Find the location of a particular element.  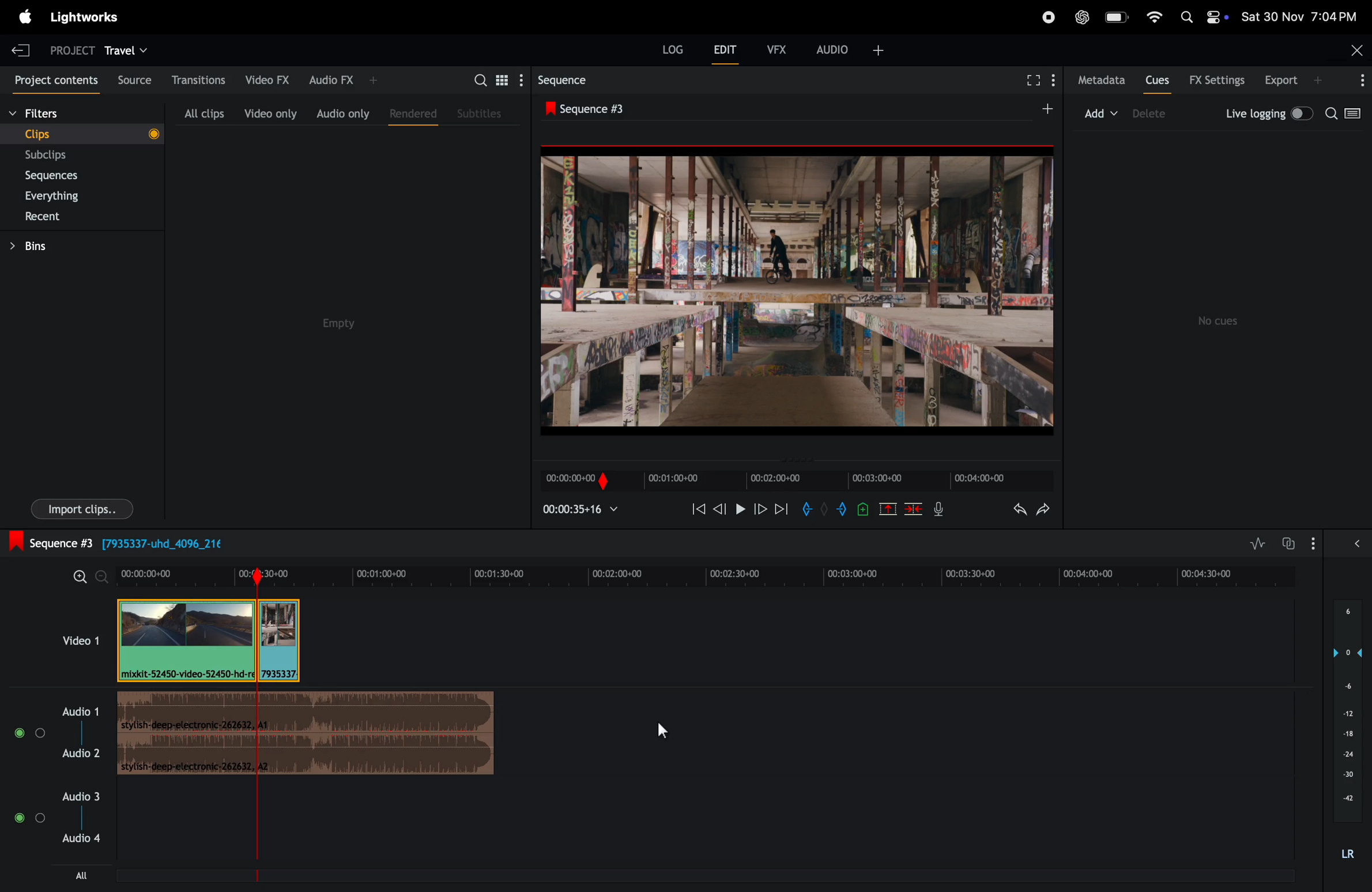

search menu is located at coordinates (495, 79).